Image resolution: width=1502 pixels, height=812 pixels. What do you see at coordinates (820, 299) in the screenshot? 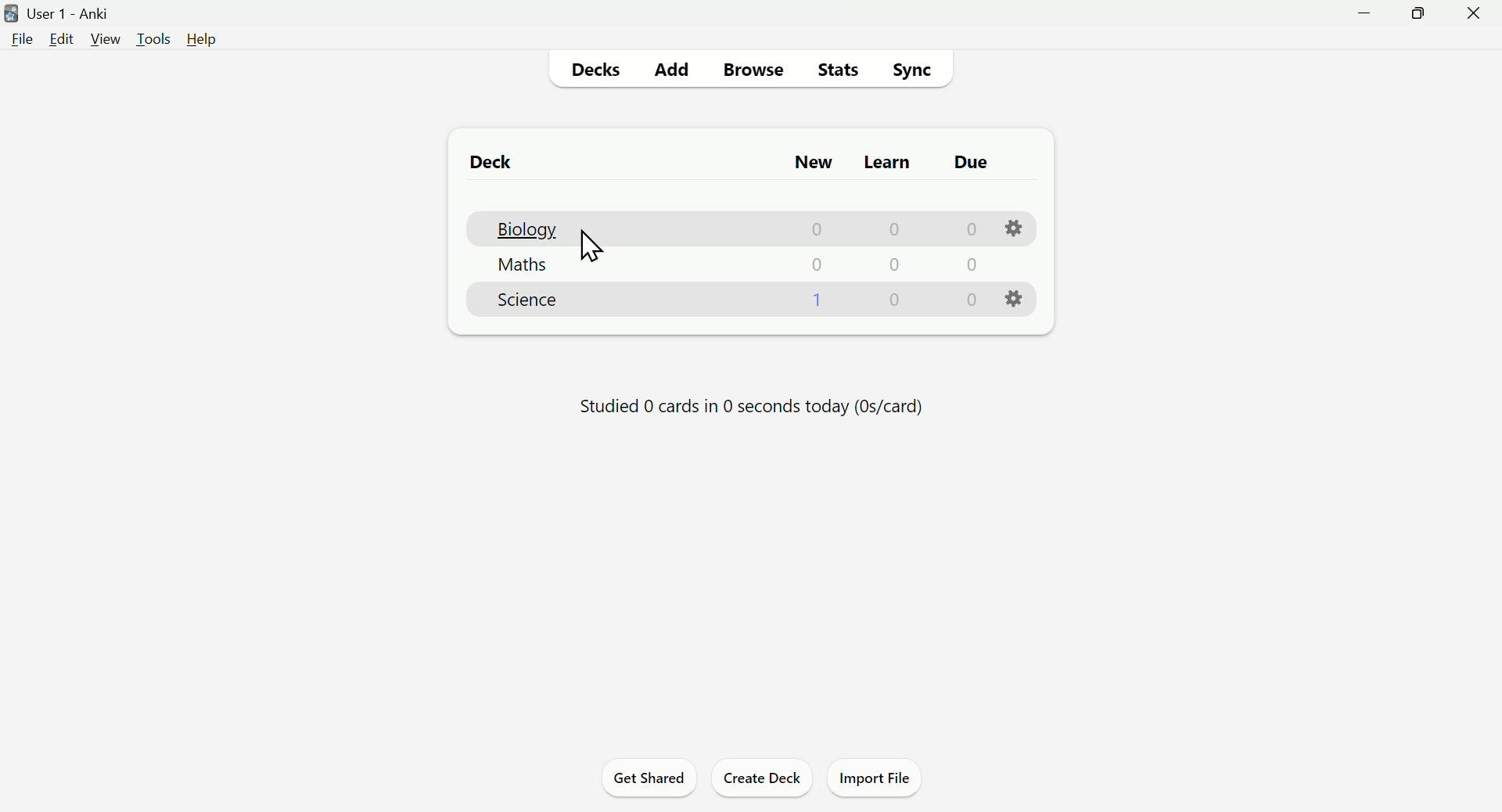
I see `1` at bounding box center [820, 299].